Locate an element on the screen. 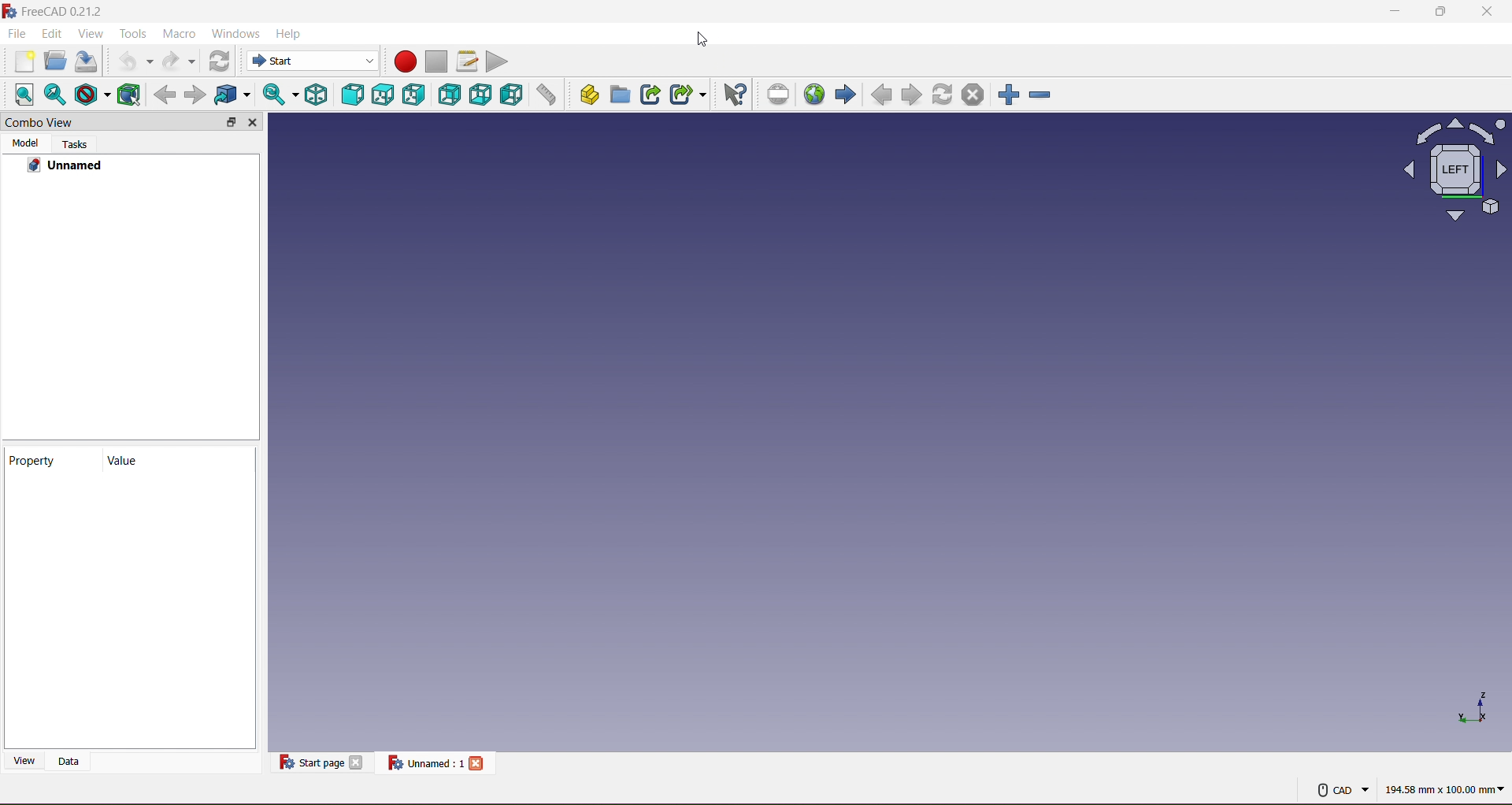  Backward Navigation is located at coordinates (881, 95).